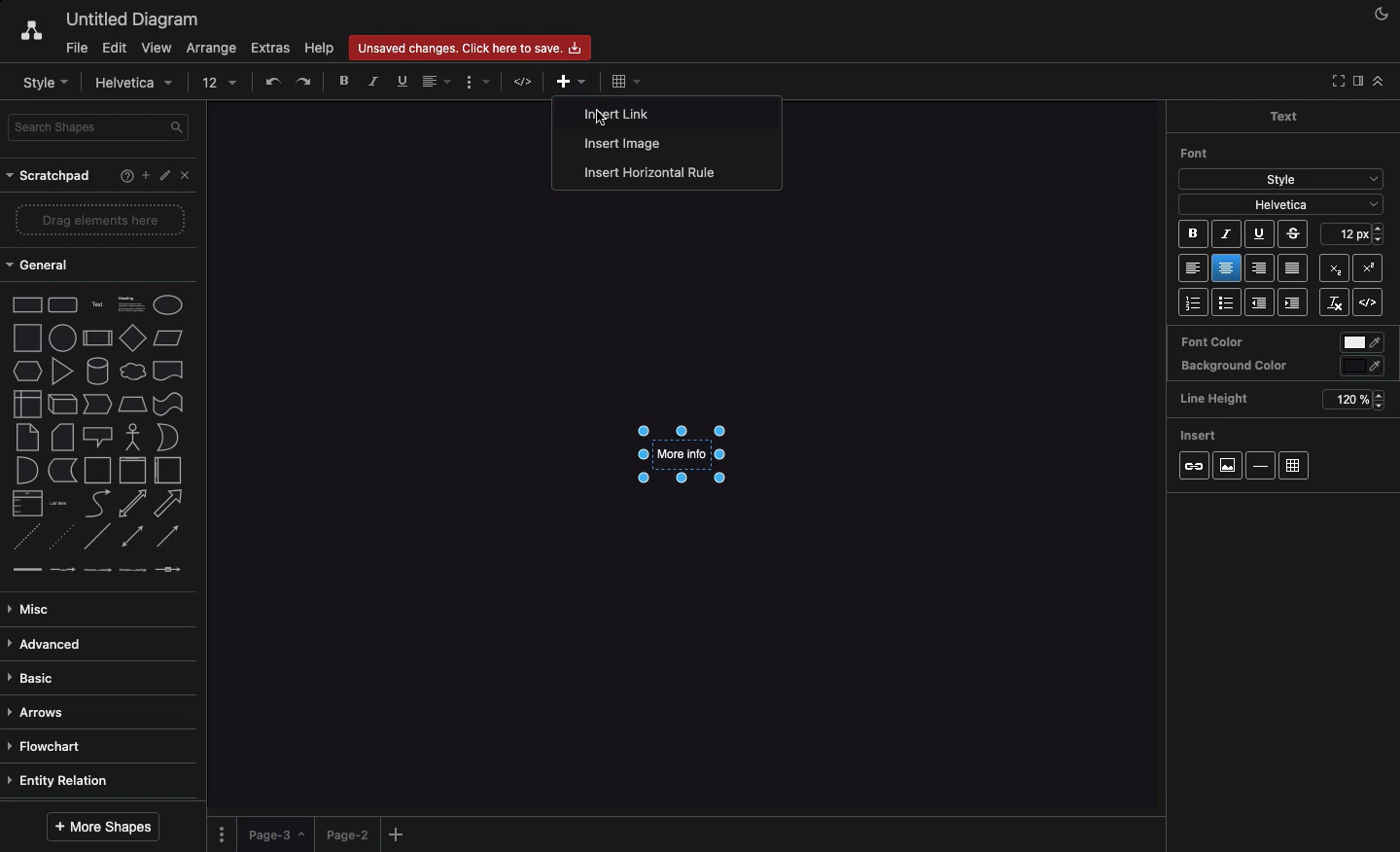 The image size is (1400, 852). I want to click on Flowchart, so click(53, 747).